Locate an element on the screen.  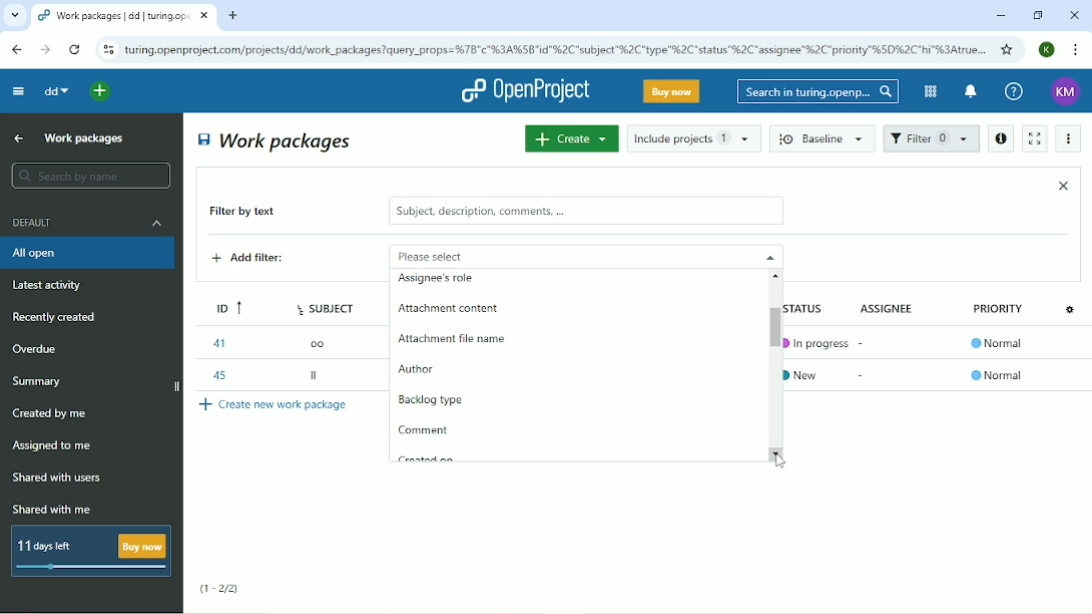
Summary is located at coordinates (40, 381).